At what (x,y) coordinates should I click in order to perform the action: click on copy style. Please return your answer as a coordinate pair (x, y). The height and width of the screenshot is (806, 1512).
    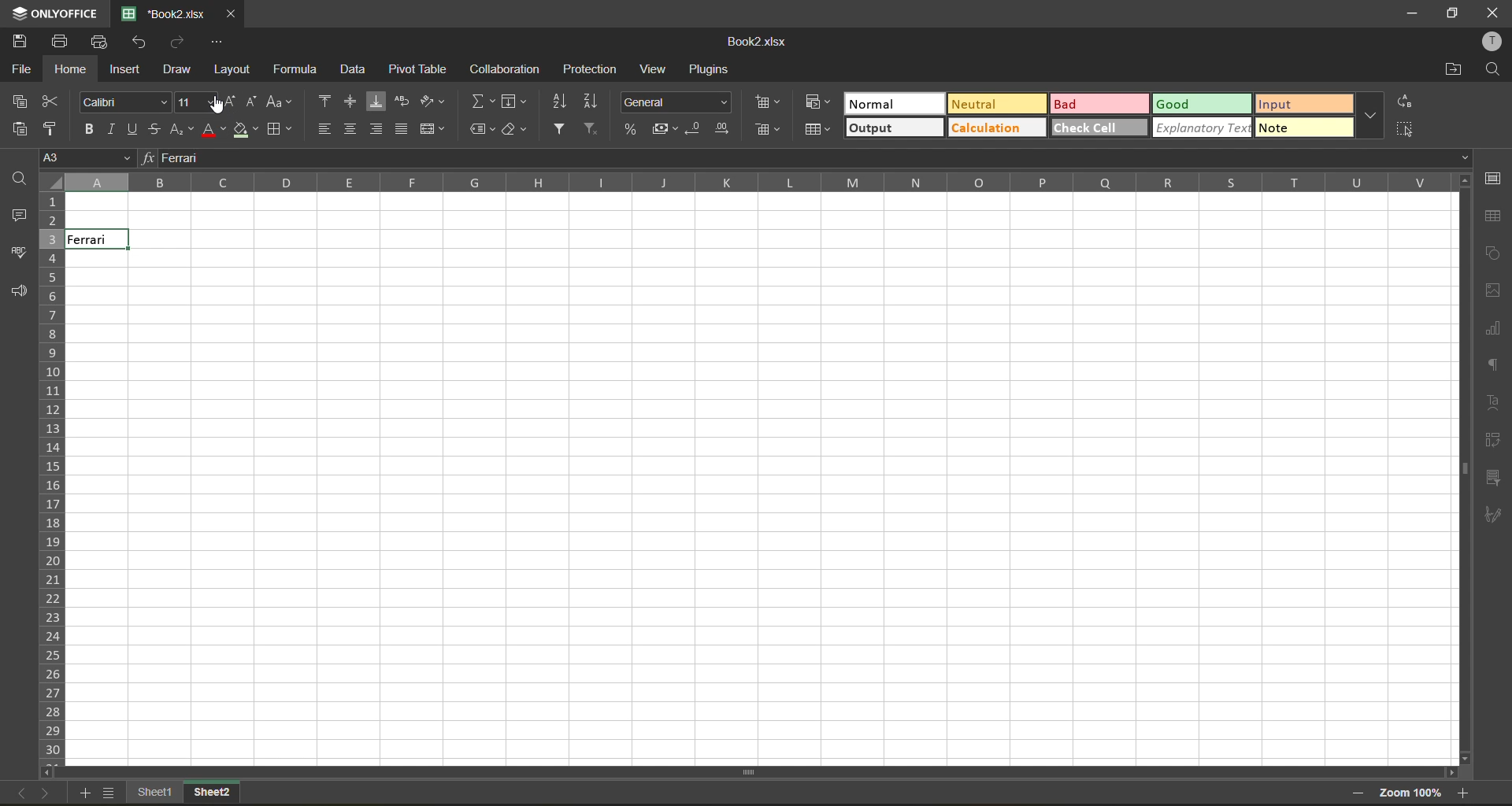
    Looking at the image, I should click on (53, 128).